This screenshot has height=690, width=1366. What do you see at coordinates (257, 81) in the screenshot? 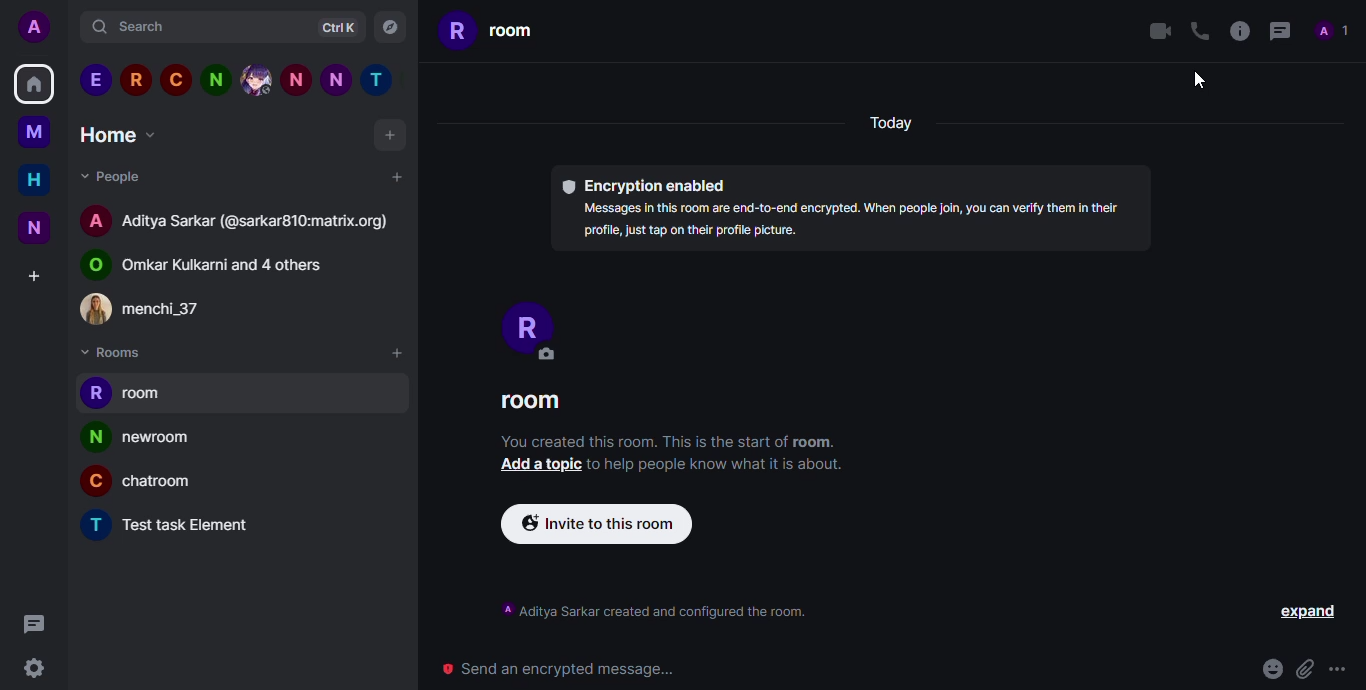
I see `Contact shortcut` at bounding box center [257, 81].